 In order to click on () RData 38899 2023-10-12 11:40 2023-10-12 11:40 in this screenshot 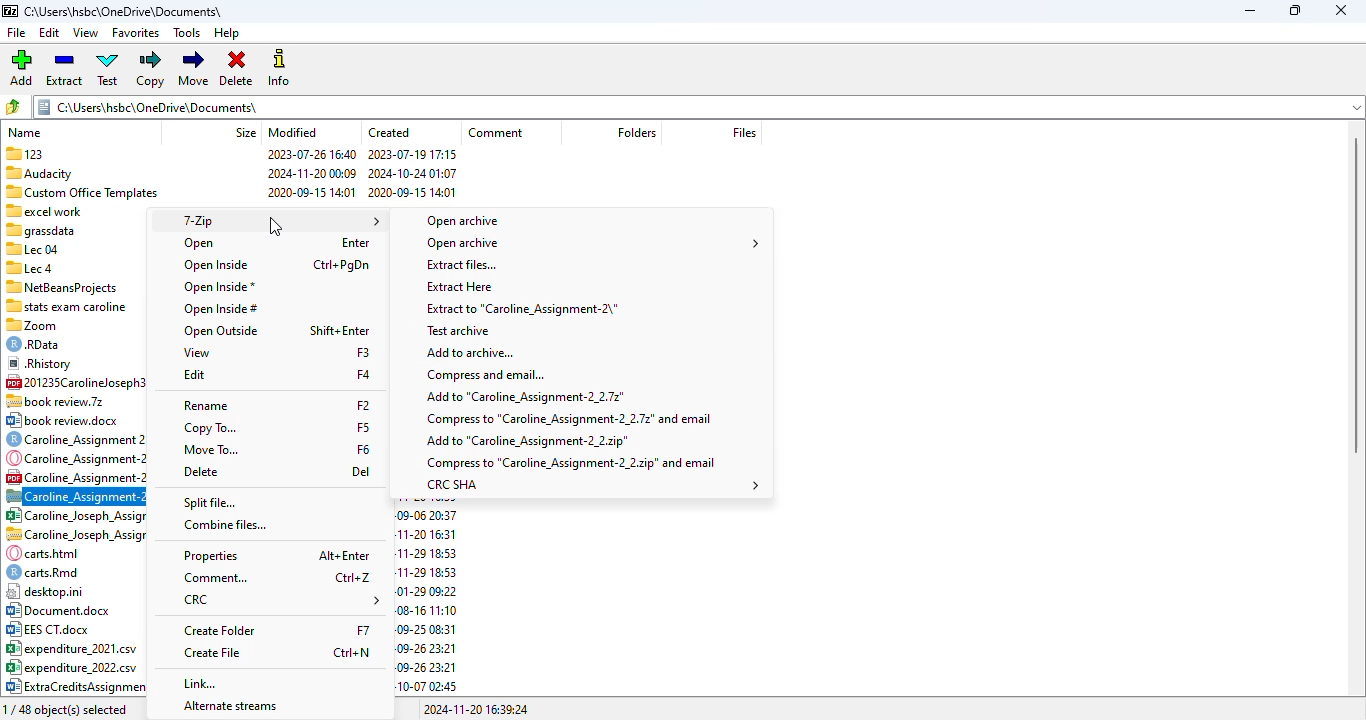, I will do `click(72, 345)`.